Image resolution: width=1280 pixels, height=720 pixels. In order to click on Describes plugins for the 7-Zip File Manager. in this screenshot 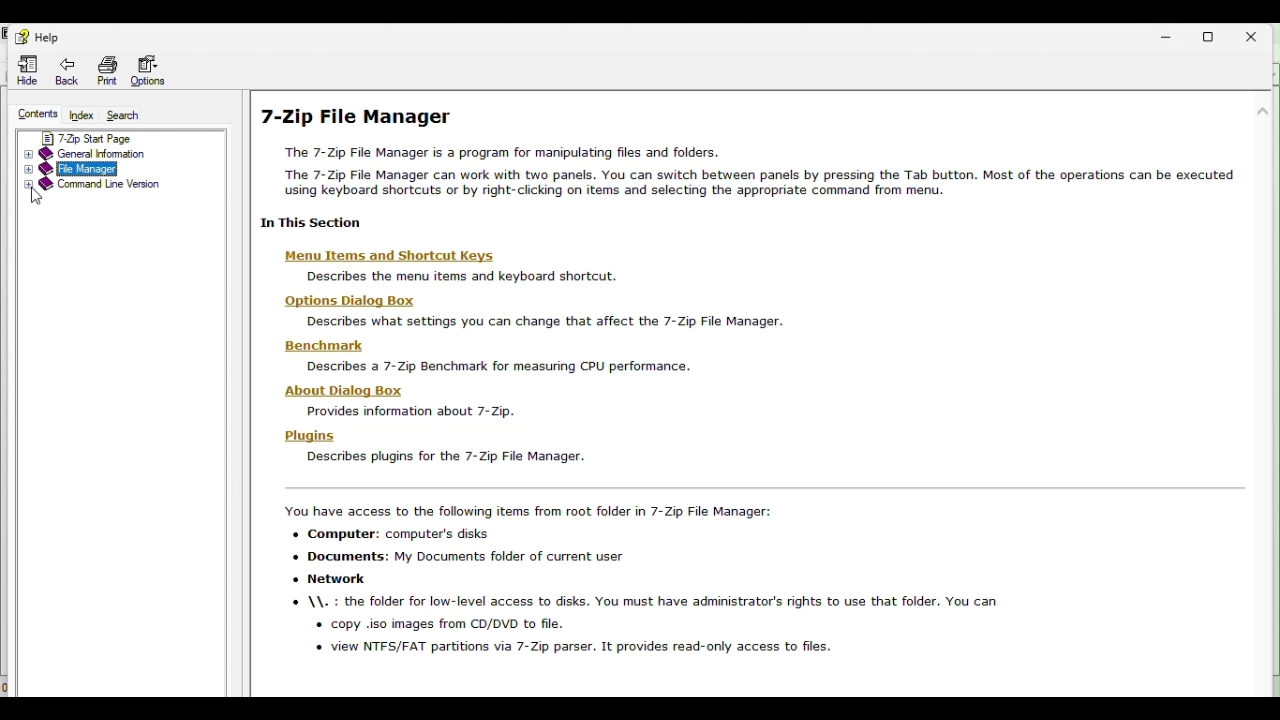, I will do `click(447, 456)`.